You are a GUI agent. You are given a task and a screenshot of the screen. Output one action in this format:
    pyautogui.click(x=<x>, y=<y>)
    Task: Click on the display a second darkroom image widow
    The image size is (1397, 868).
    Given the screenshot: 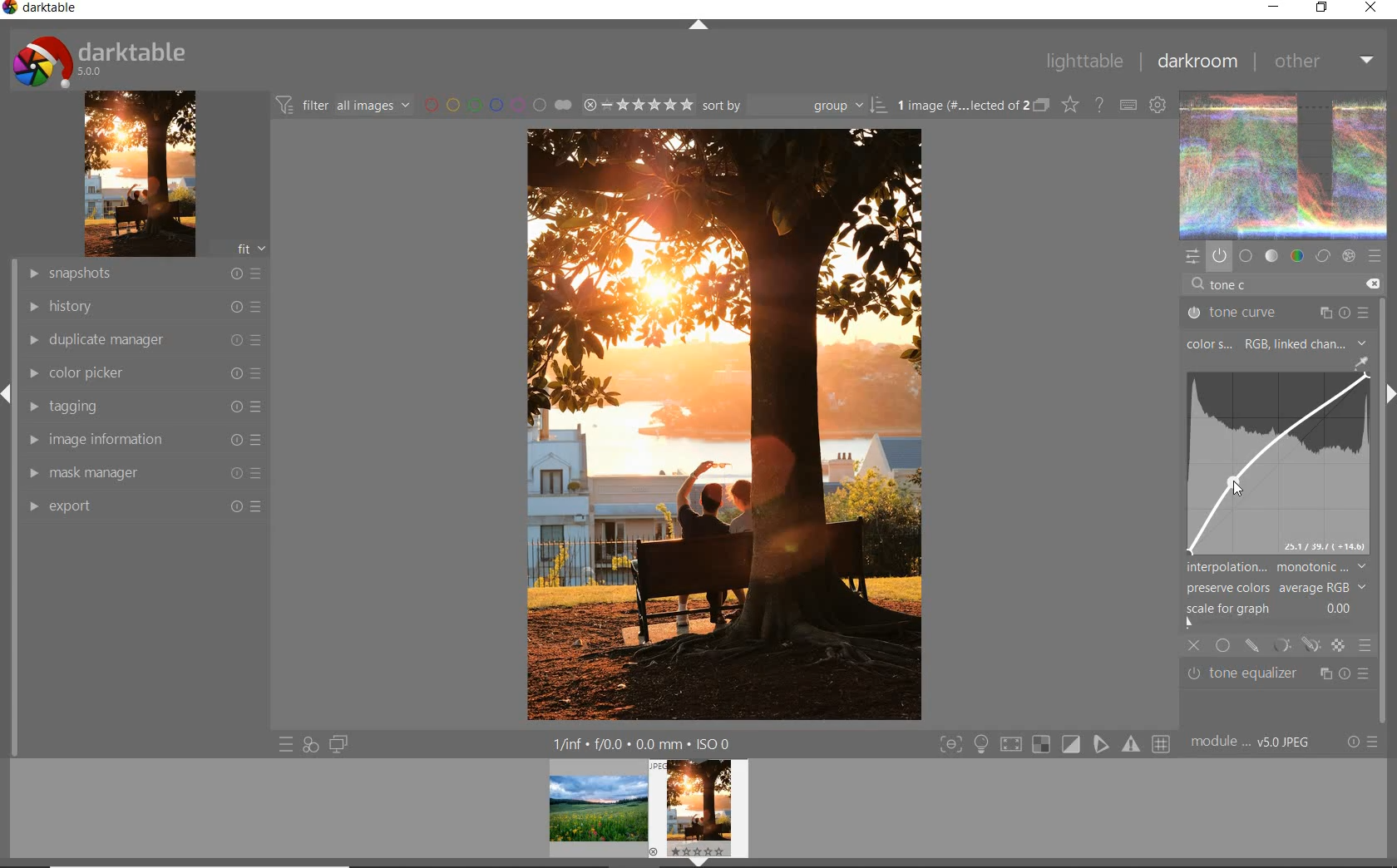 What is the action you would take?
    pyautogui.click(x=339, y=744)
    